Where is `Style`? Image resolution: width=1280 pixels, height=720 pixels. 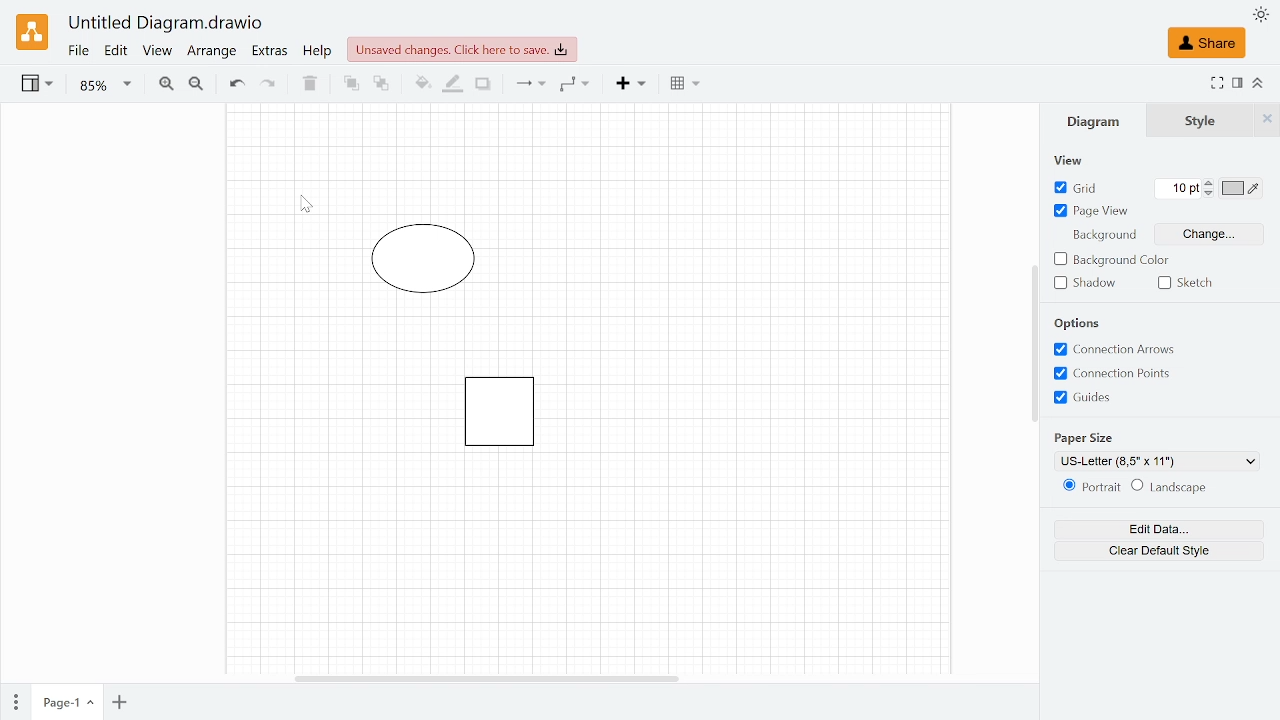
Style is located at coordinates (1267, 120).